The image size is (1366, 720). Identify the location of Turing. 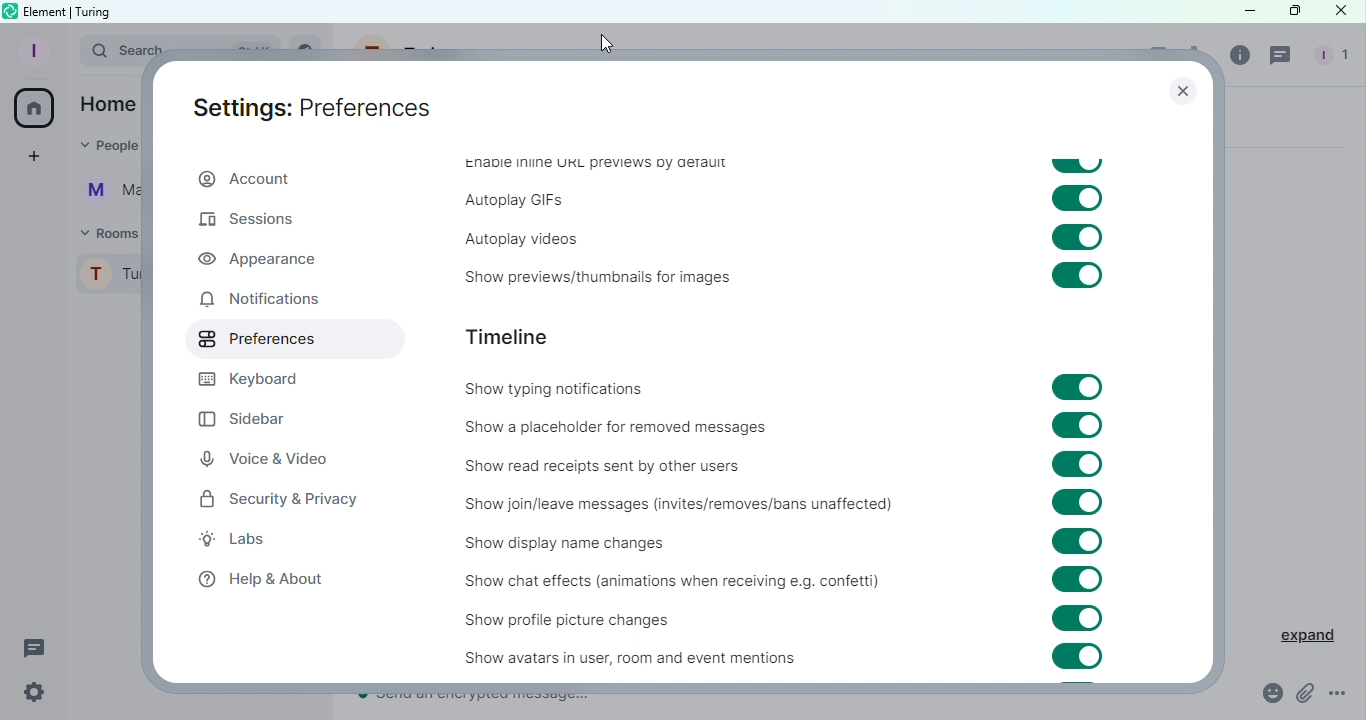
(109, 279).